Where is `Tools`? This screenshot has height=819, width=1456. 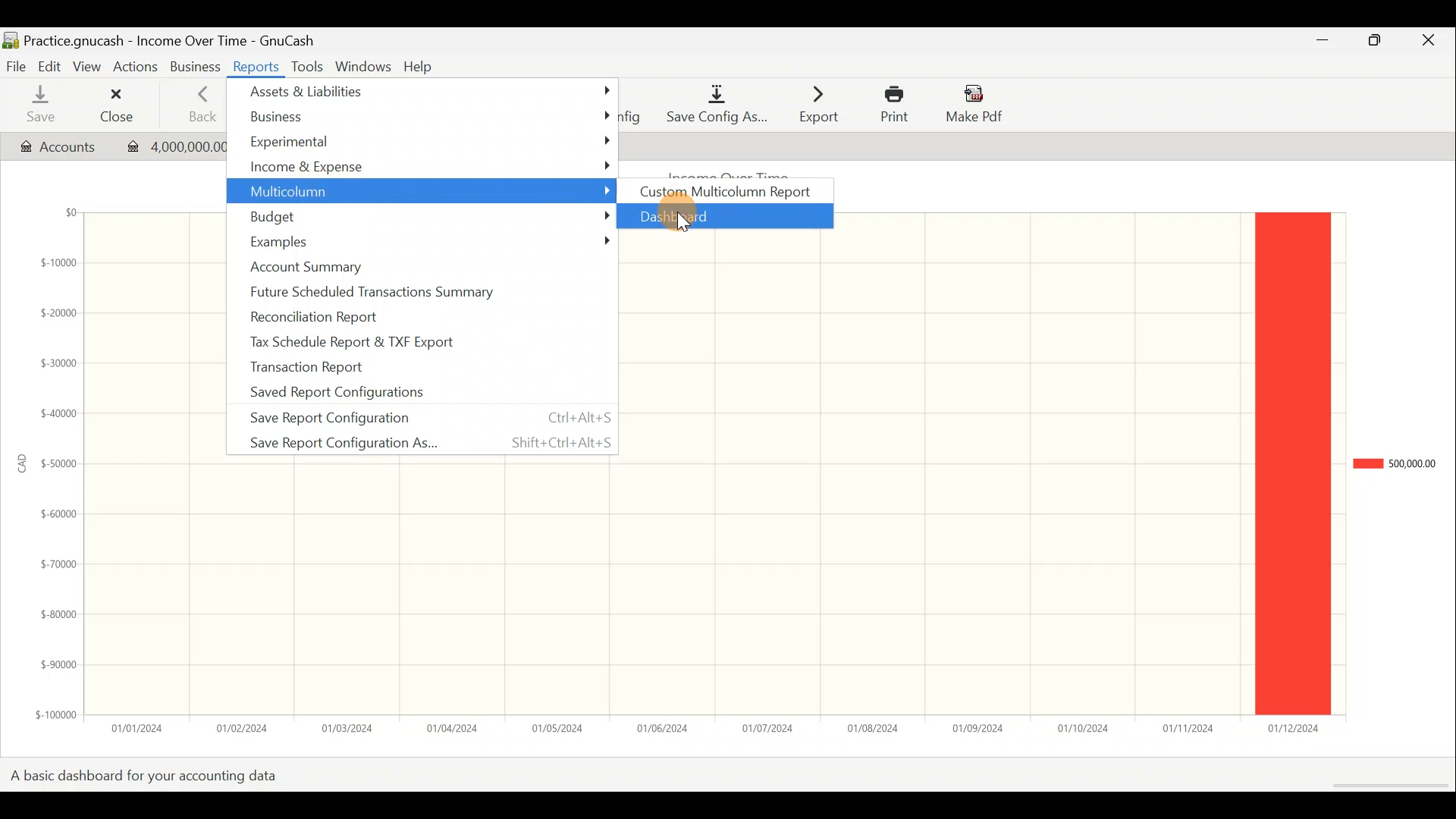
Tools is located at coordinates (307, 67).